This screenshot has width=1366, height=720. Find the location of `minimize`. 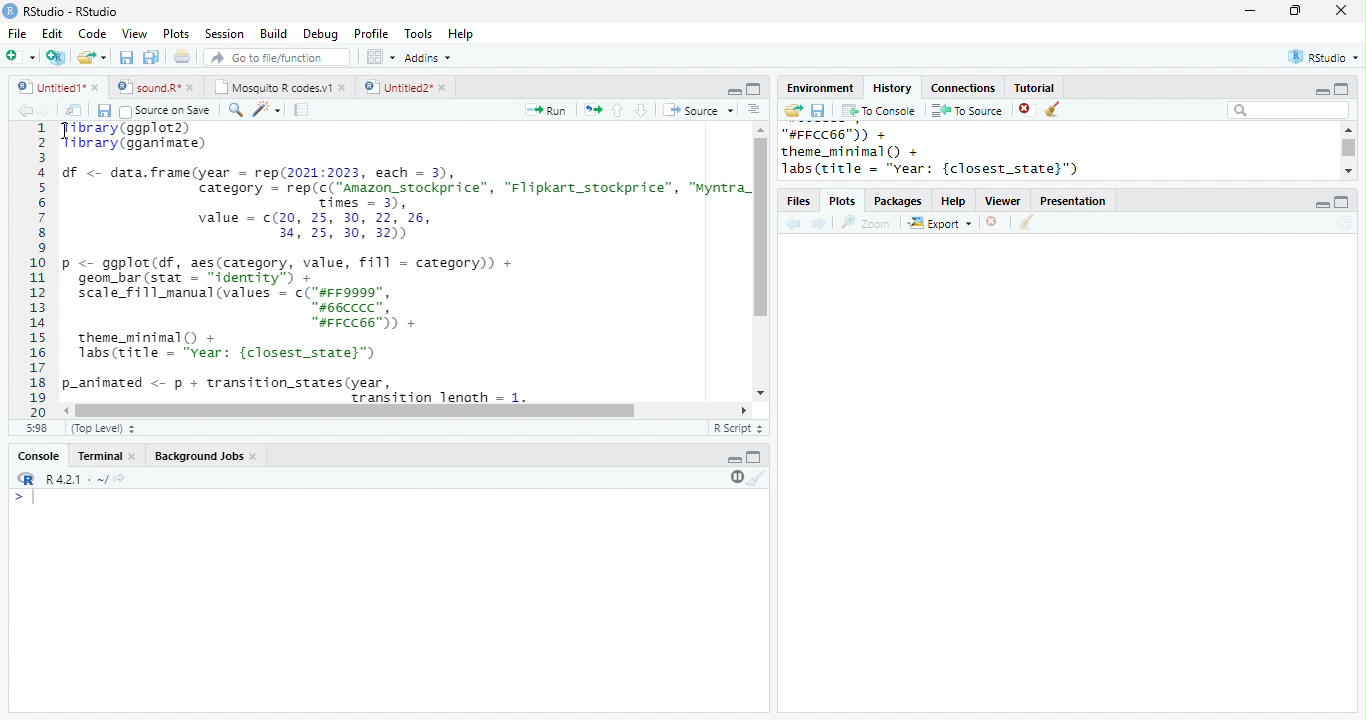

minimize is located at coordinates (1249, 11).